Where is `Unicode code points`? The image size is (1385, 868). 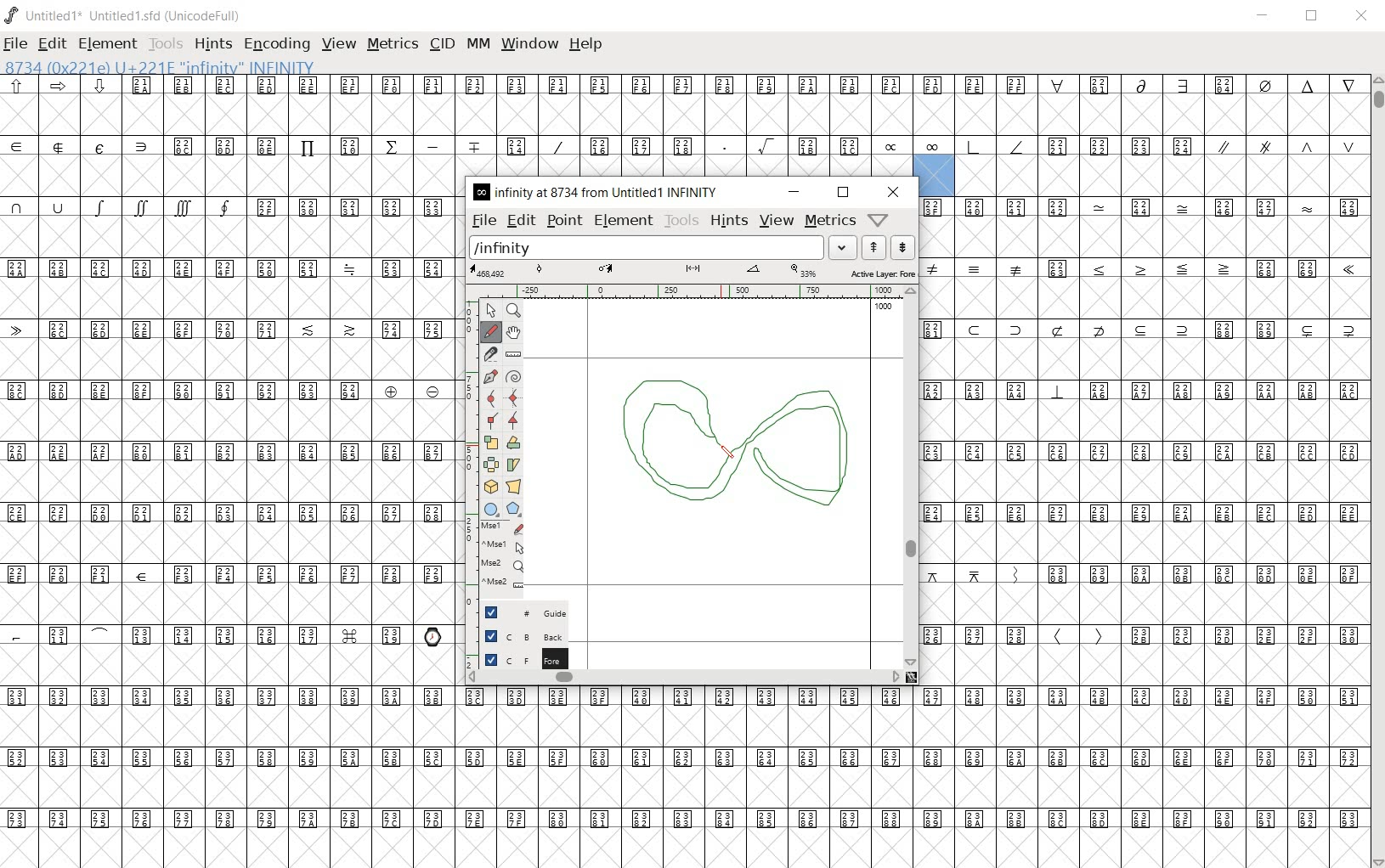
Unicode code points is located at coordinates (1145, 452).